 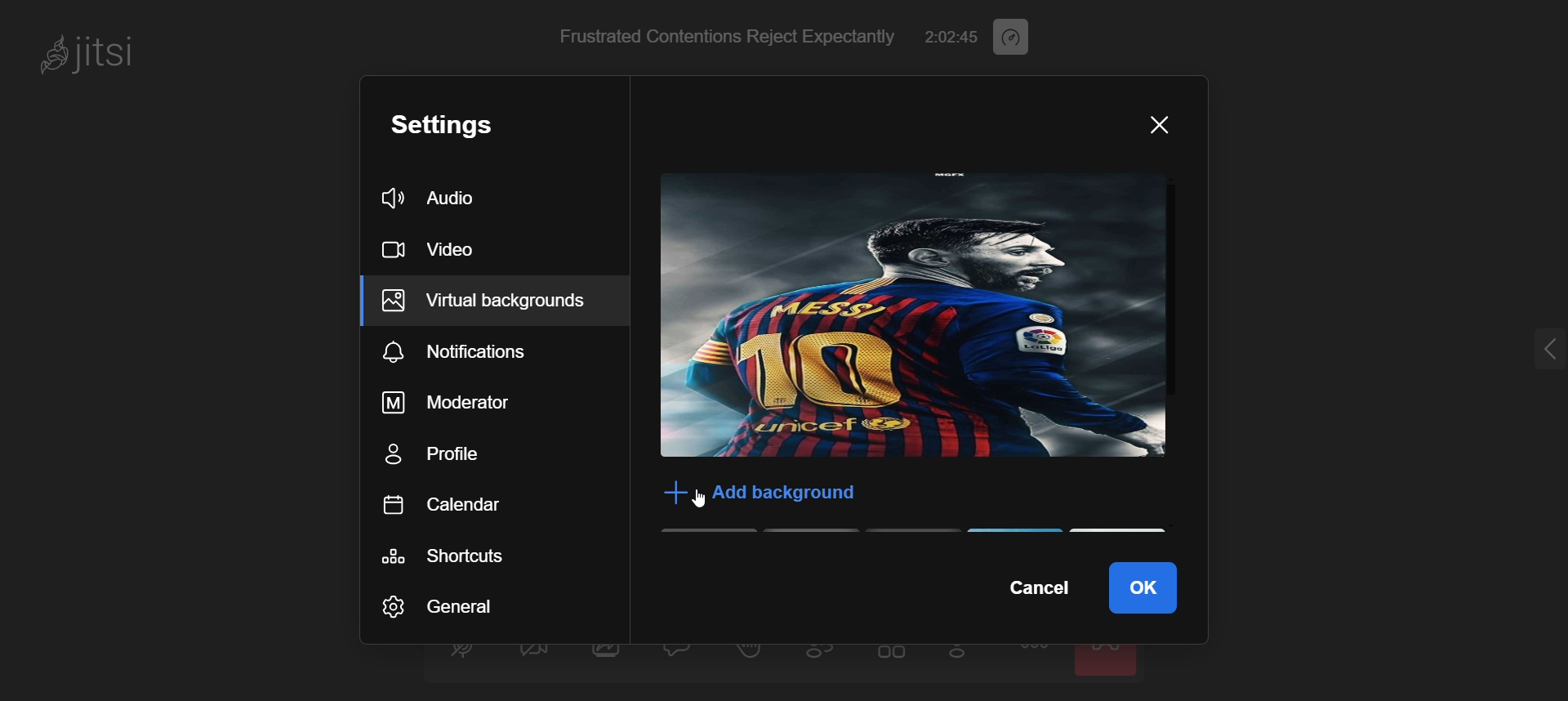 I want to click on unmute mic, so click(x=461, y=654).